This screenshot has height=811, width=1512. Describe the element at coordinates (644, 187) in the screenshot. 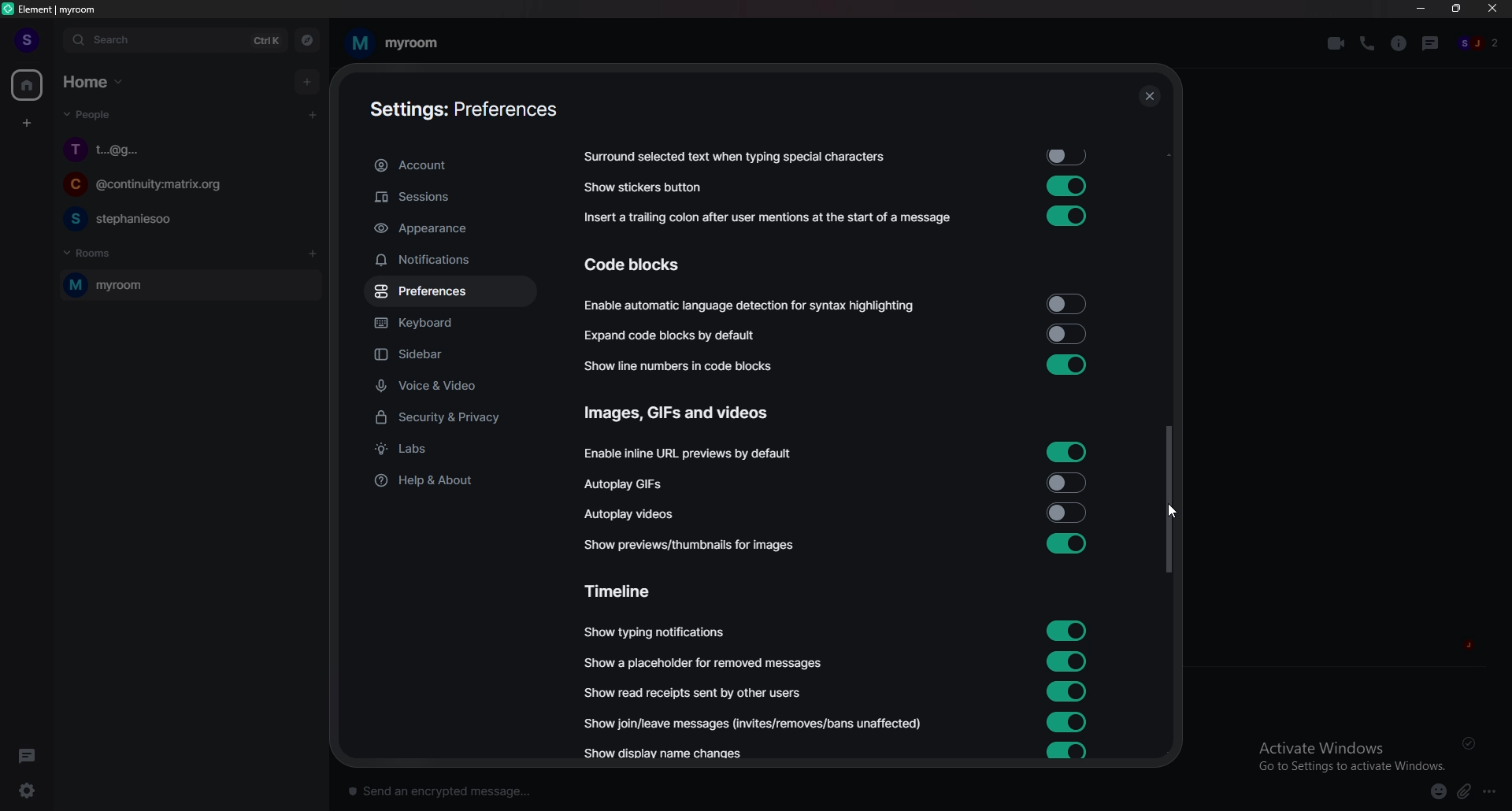

I see `show stickers button` at that location.